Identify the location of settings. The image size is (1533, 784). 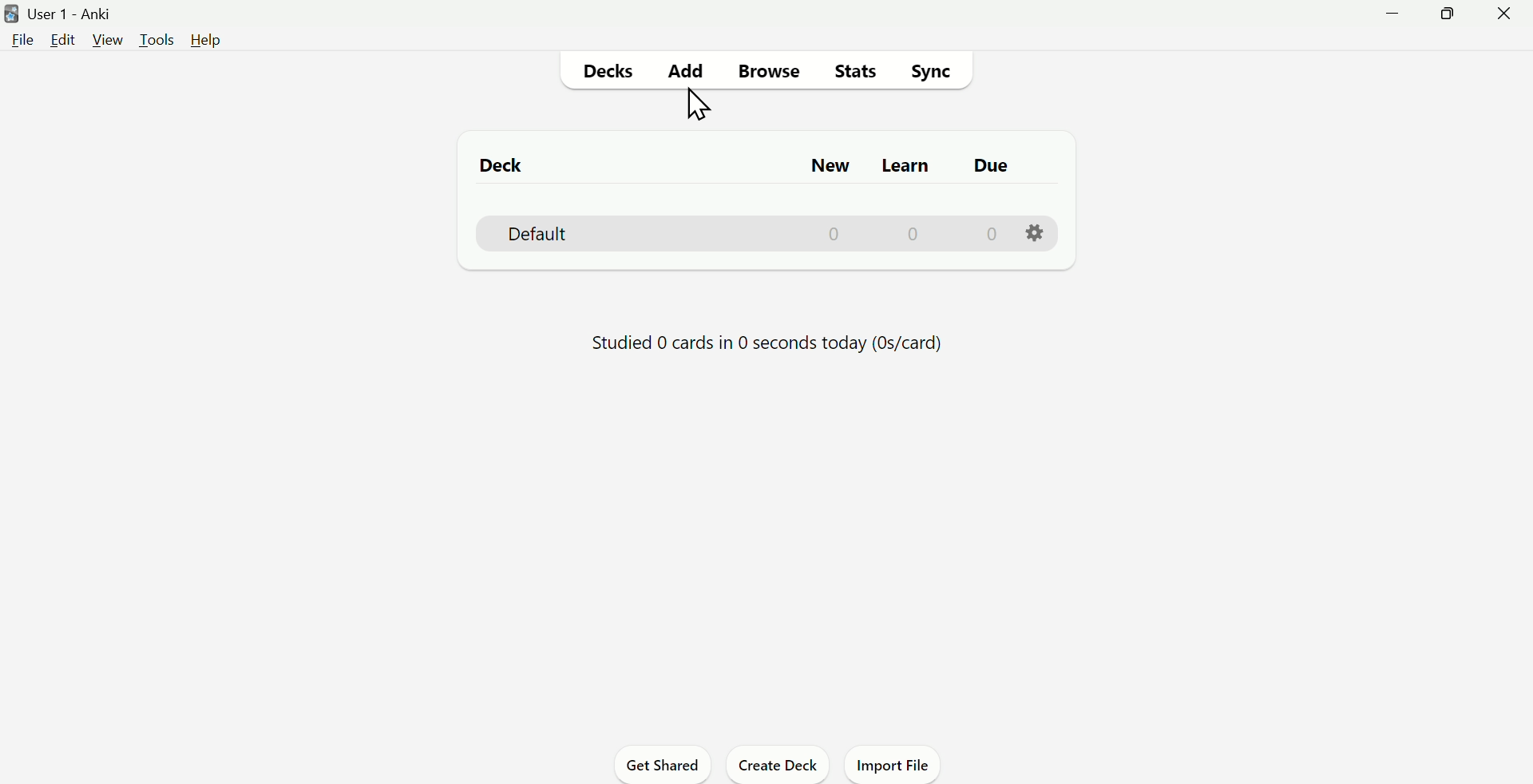
(1034, 233).